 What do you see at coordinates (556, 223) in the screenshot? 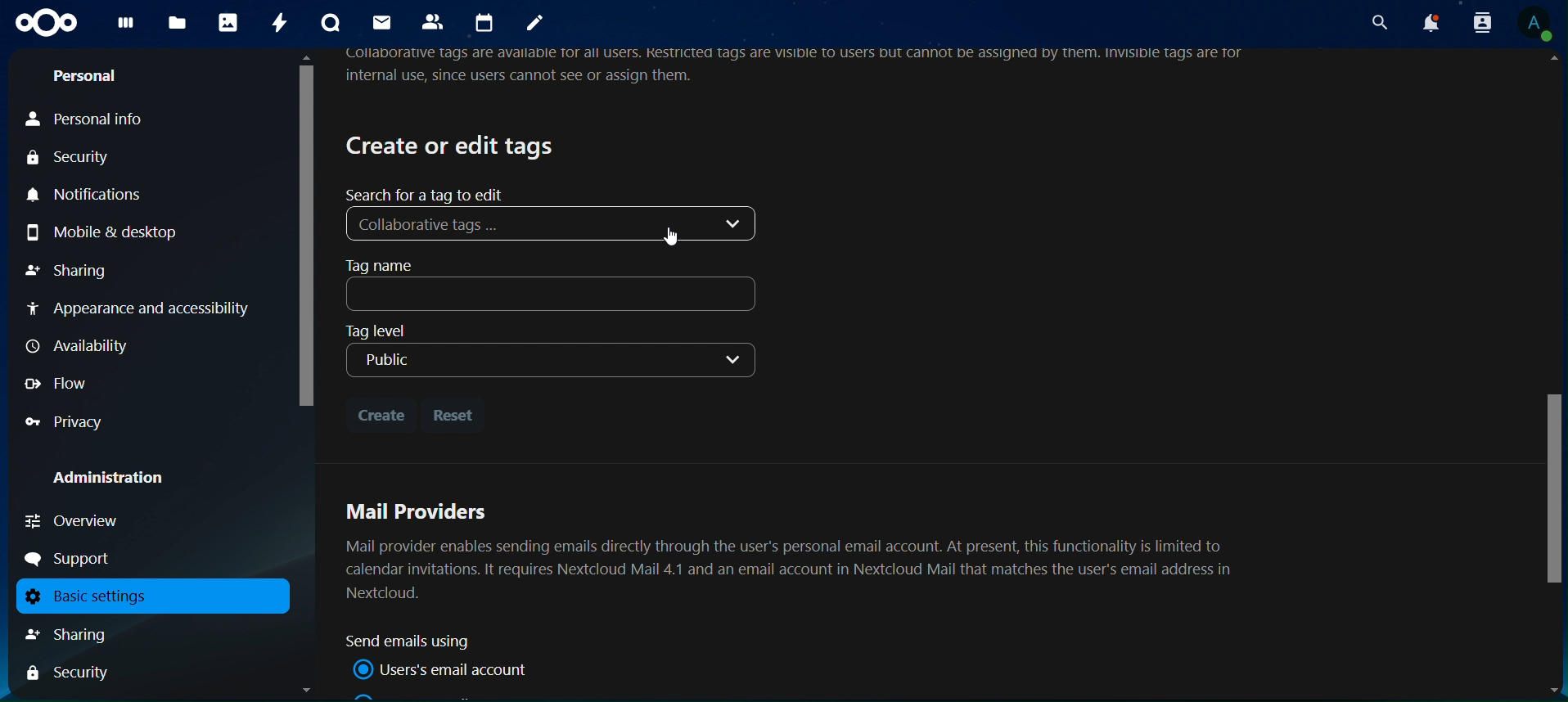
I see `Collaborative tags ... ` at bounding box center [556, 223].